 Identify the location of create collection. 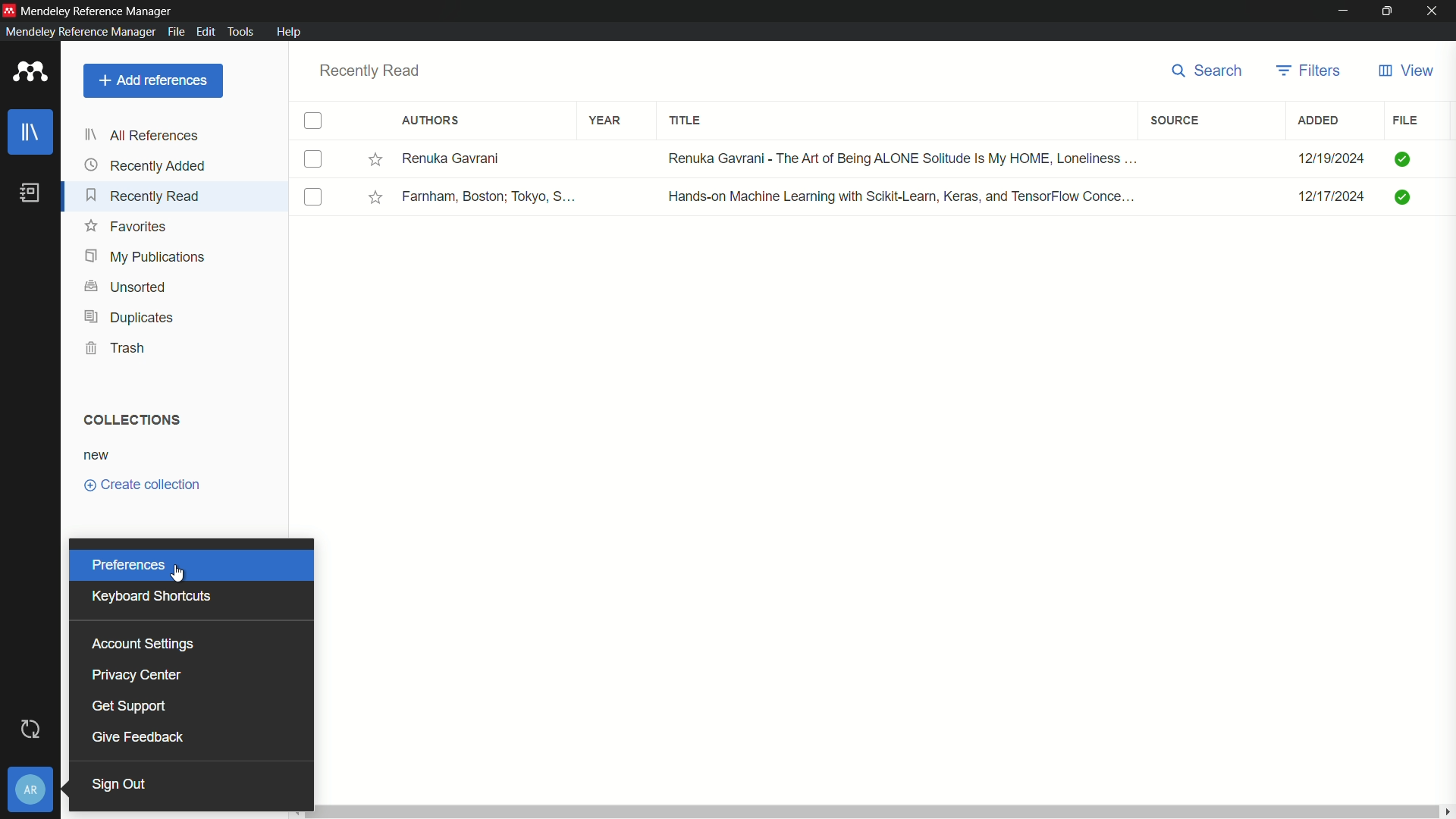
(140, 485).